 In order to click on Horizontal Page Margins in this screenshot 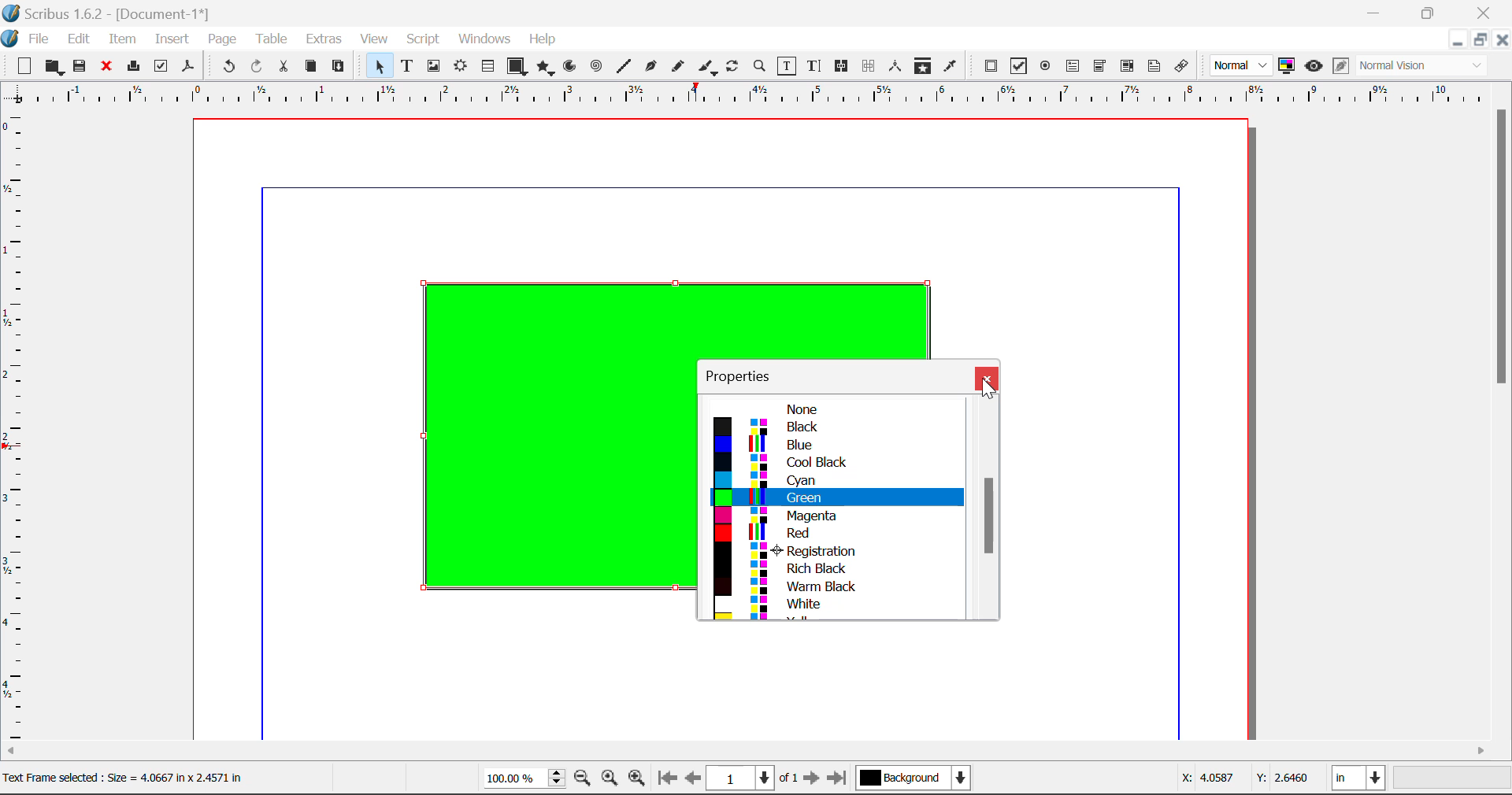, I will do `click(17, 427)`.